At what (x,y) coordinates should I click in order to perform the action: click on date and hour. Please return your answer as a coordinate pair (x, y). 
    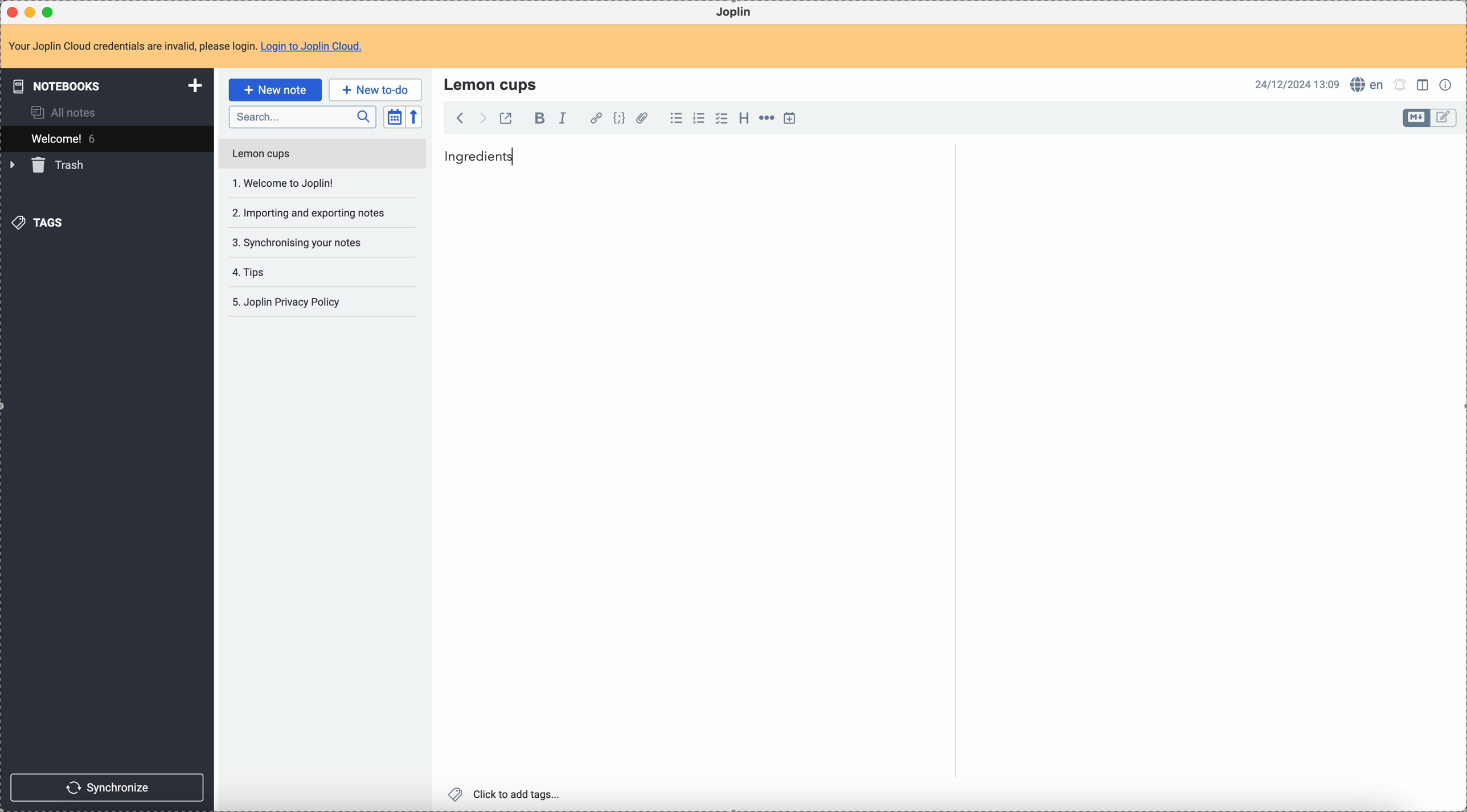
    Looking at the image, I should click on (1297, 84).